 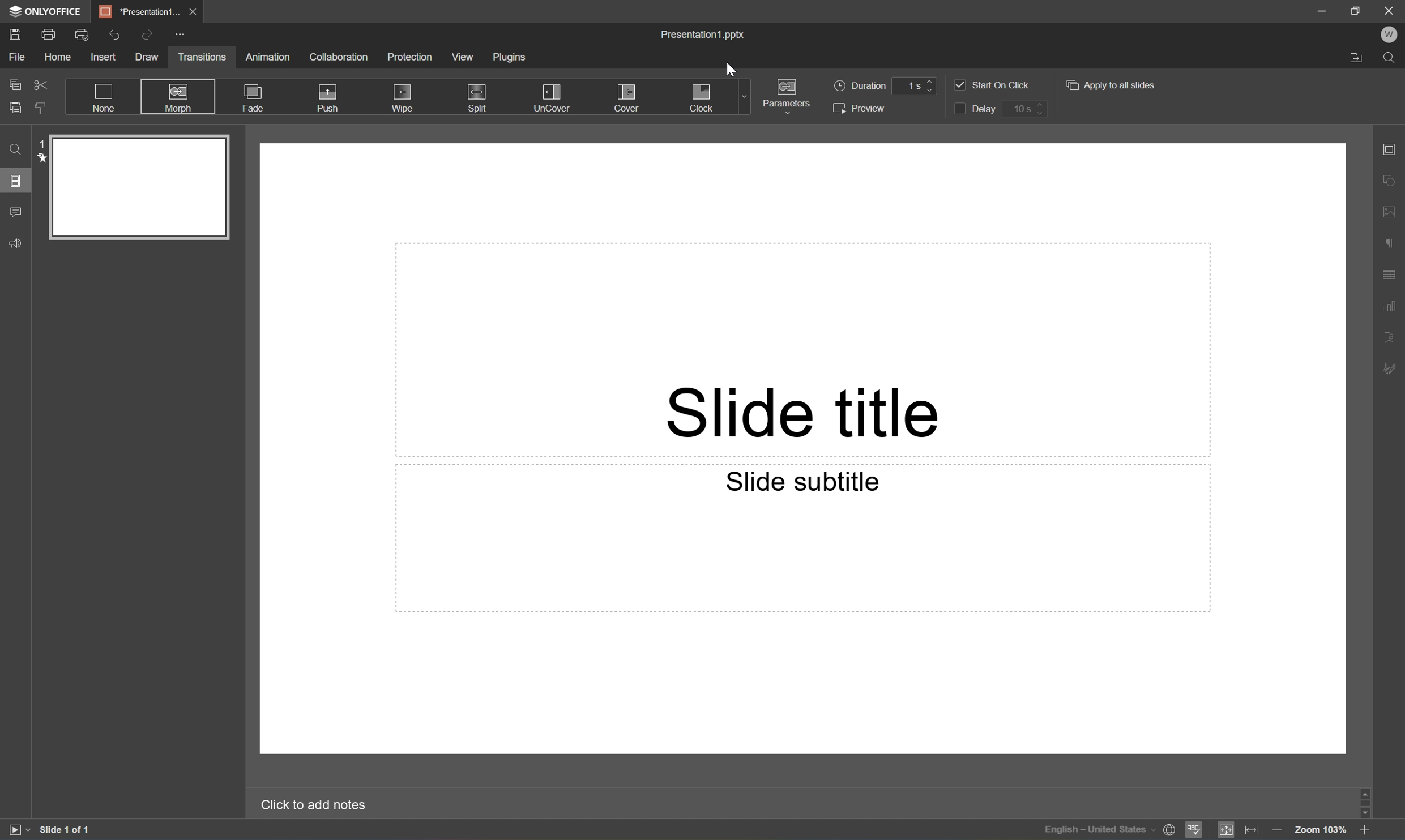 I want to click on Spell checking, so click(x=1192, y=832).